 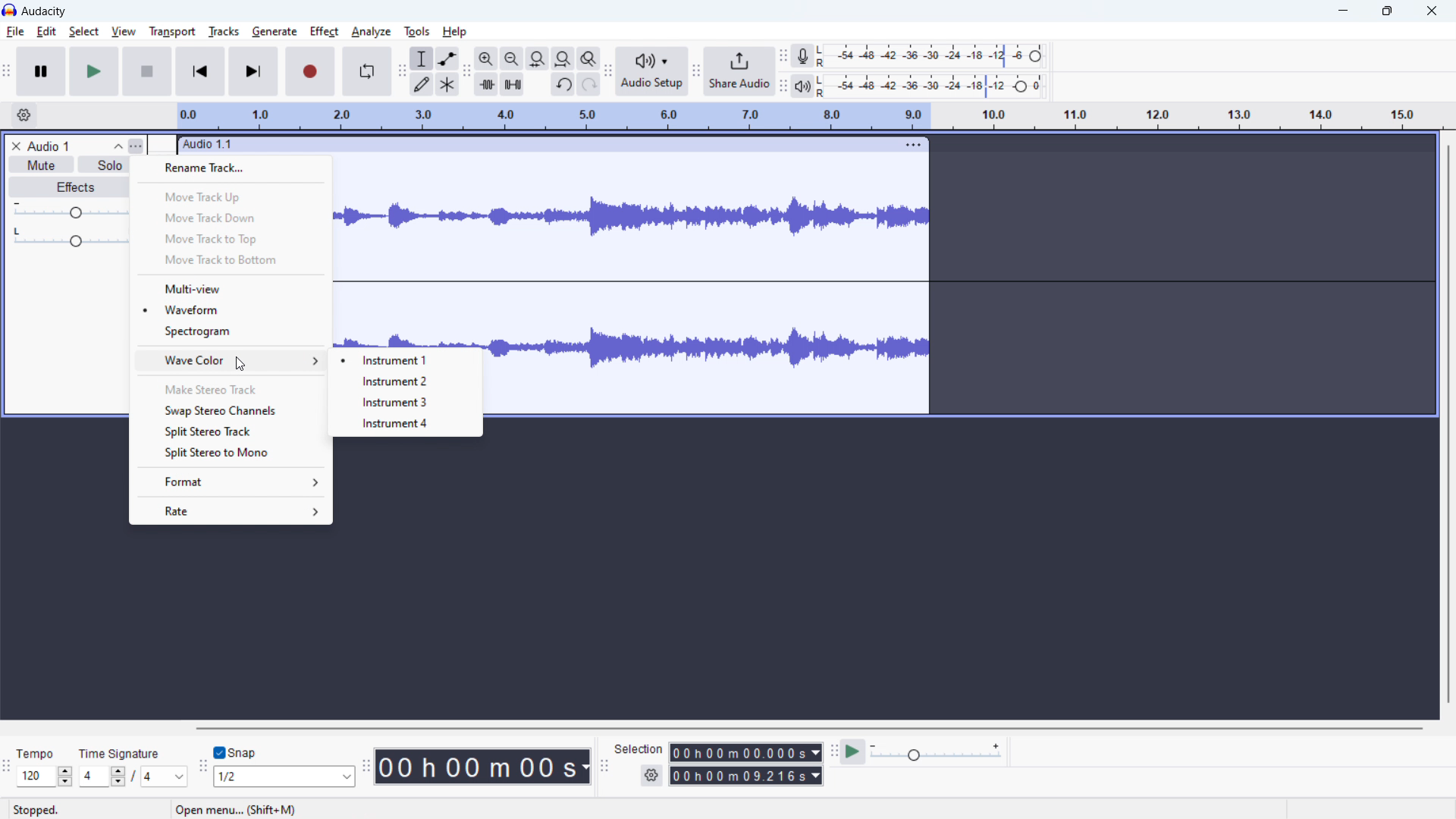 What do you see at coordinates (511, 58) in the screenshot?
I see `zoom out` at bounding box center [511, 58].